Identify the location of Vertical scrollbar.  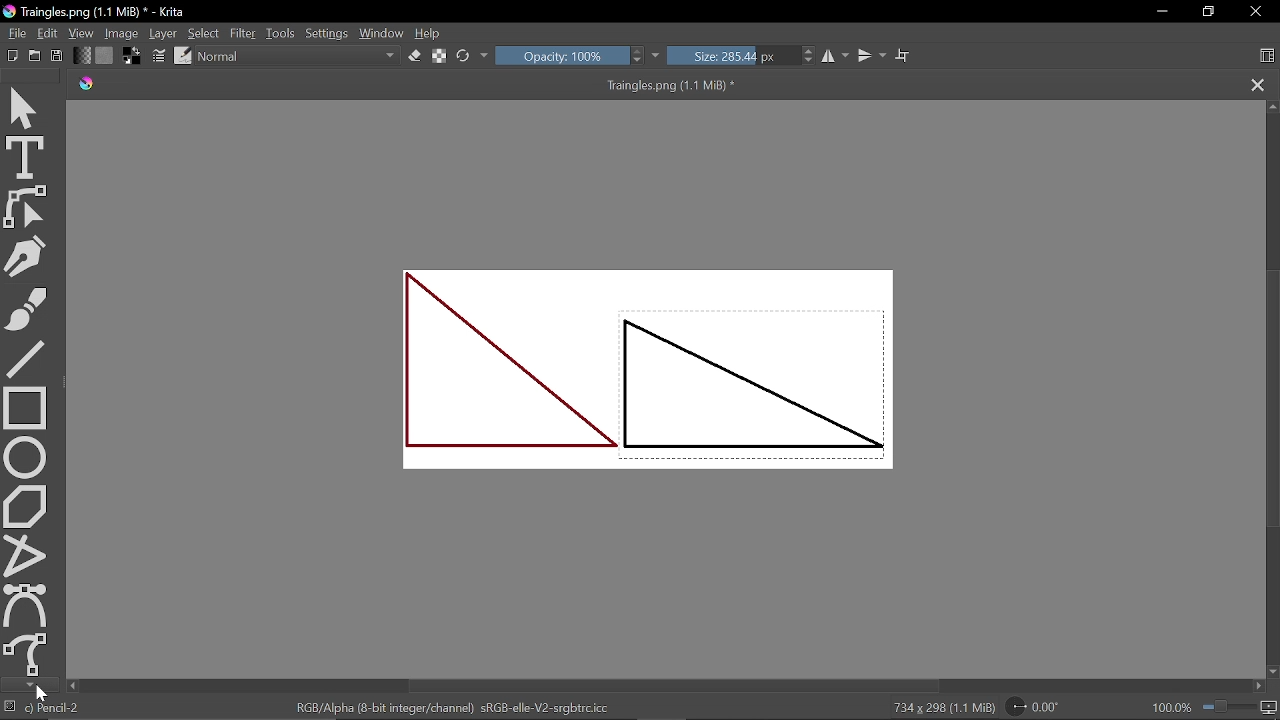
(1271, 396).